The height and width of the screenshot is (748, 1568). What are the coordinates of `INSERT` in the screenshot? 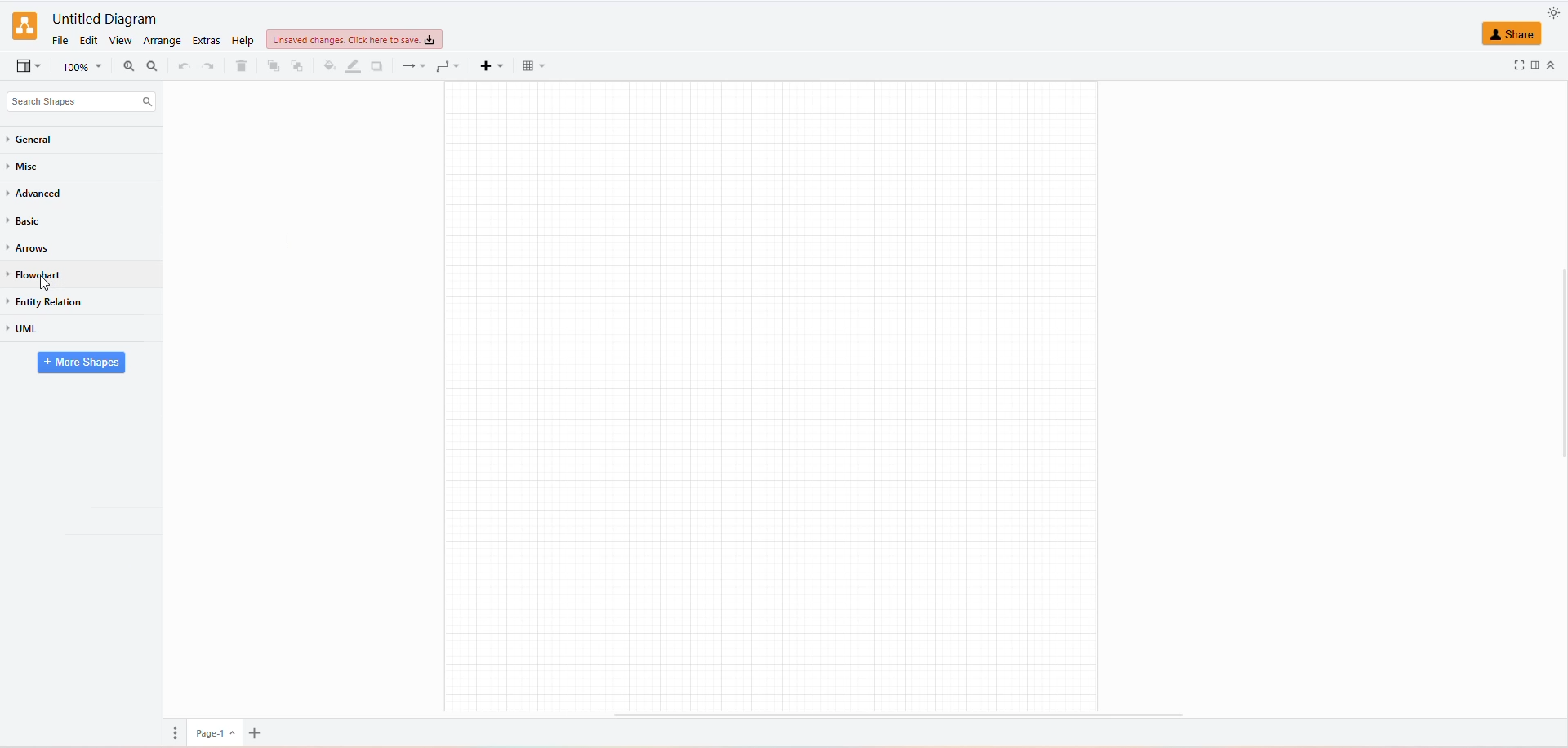 It's located at (487, 67).